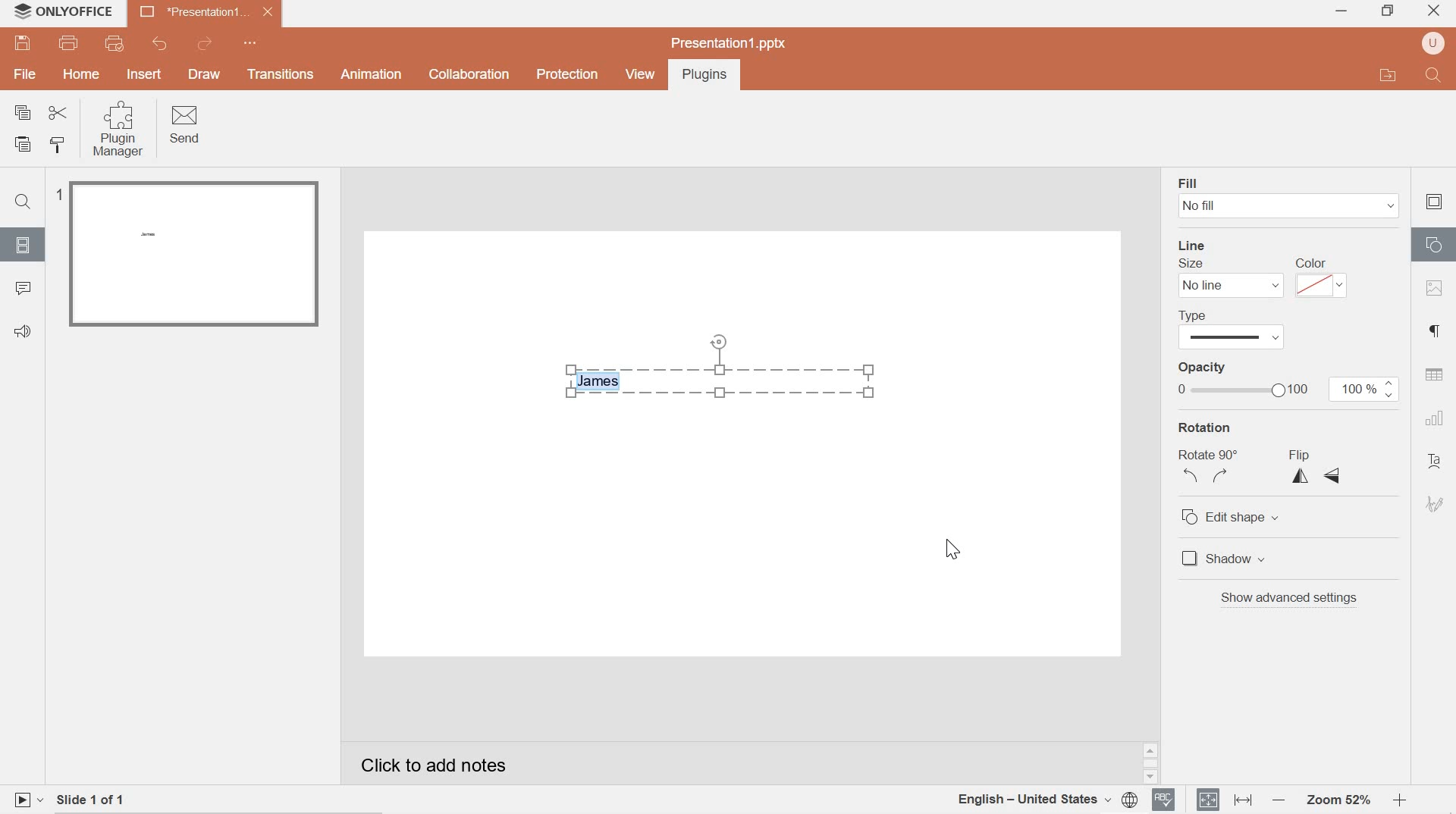 This screenshot has width=1456, height=814. I want to click on Feedback & support, so click(23, 331).